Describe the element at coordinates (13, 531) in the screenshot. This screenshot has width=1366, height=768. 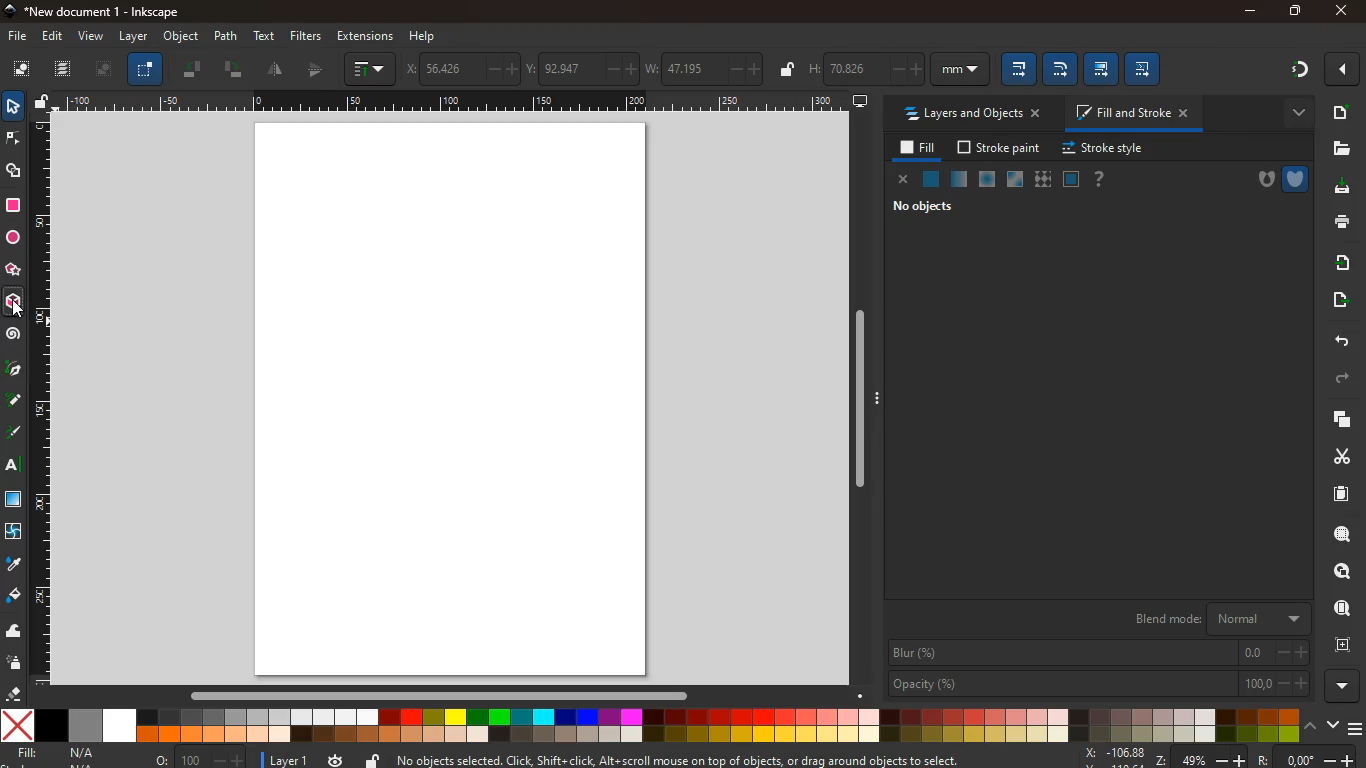
I see `twist` at that location.